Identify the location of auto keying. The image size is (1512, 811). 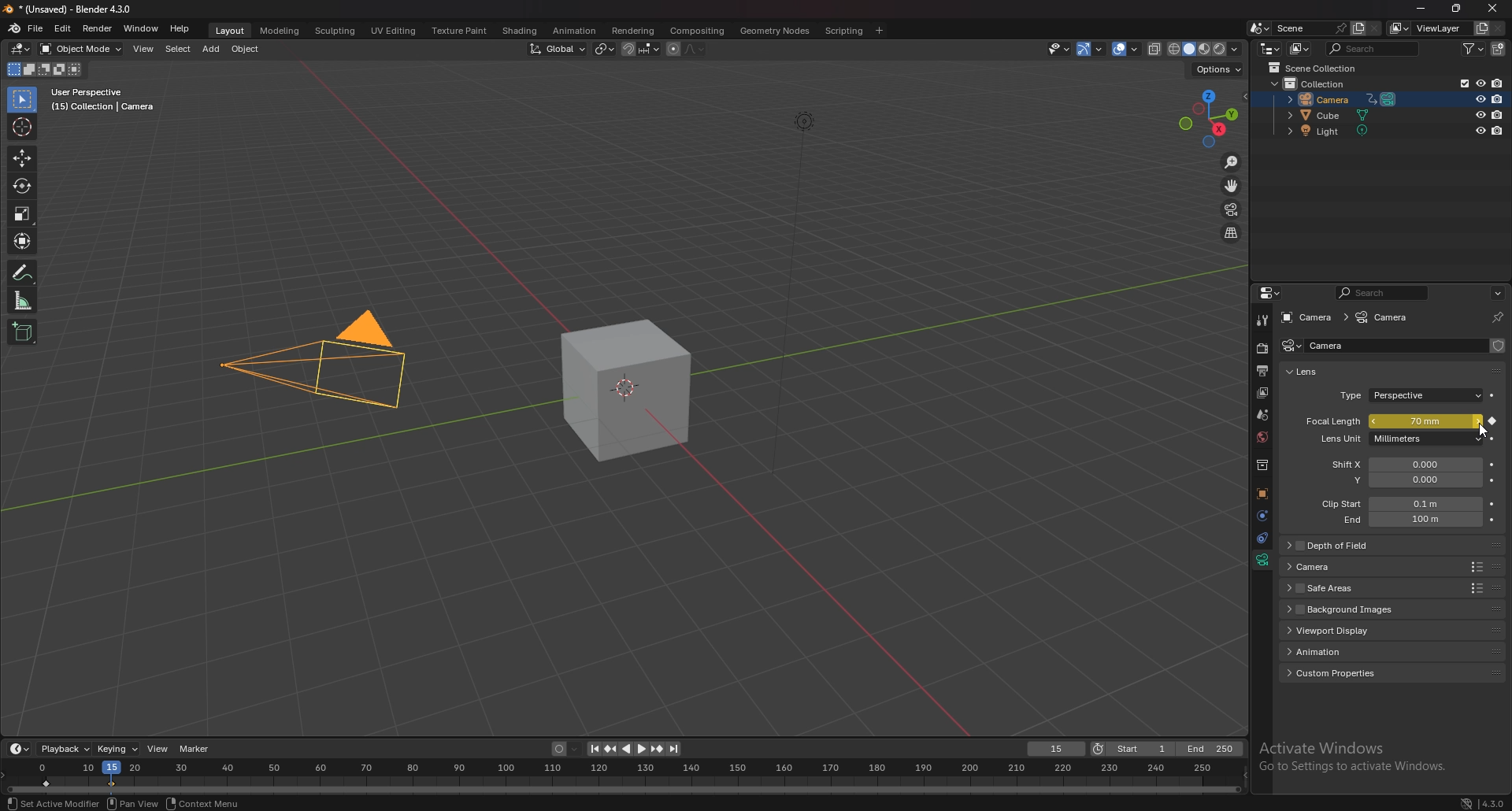
(565, 749).